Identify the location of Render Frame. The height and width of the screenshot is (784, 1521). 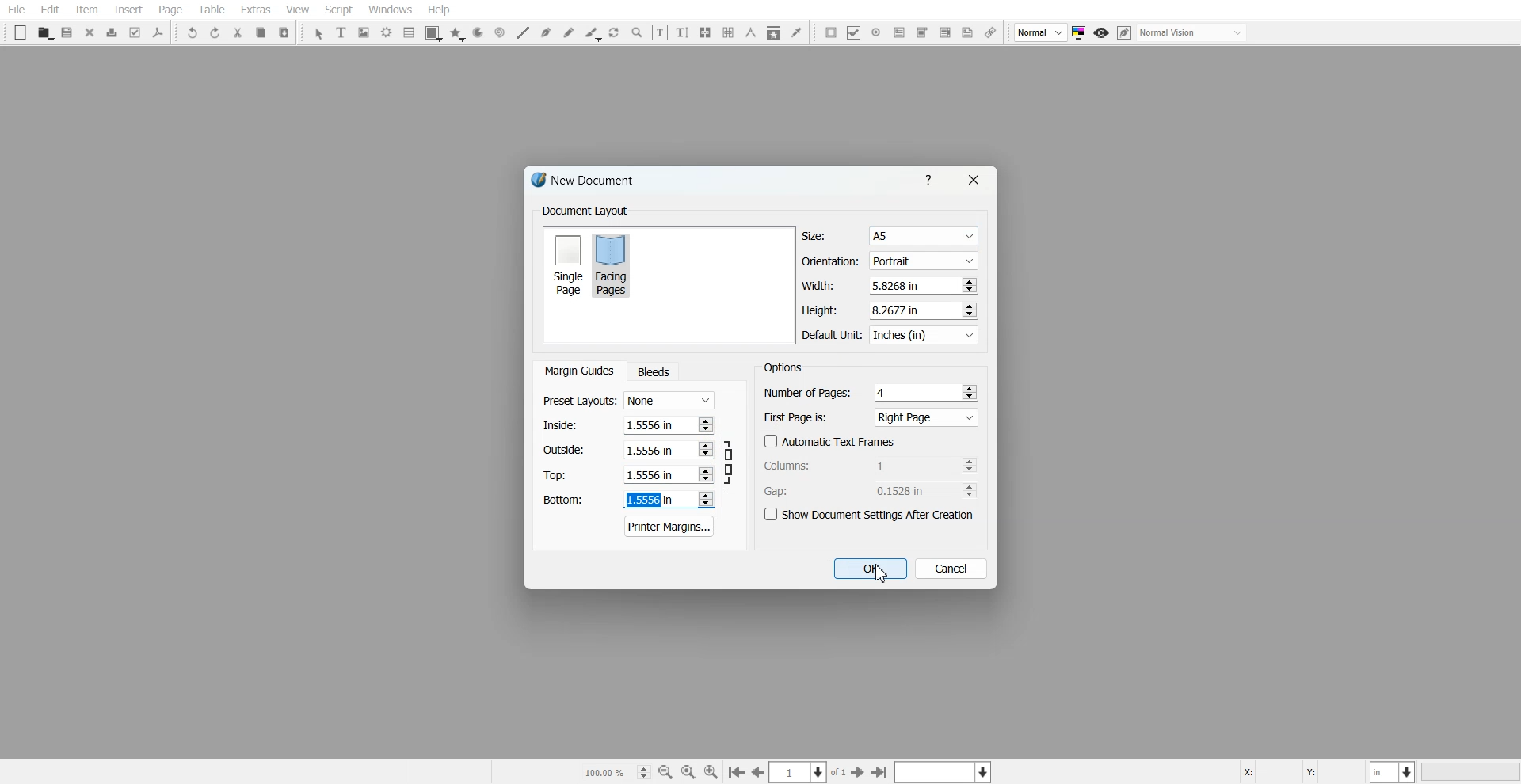
(387, 32).